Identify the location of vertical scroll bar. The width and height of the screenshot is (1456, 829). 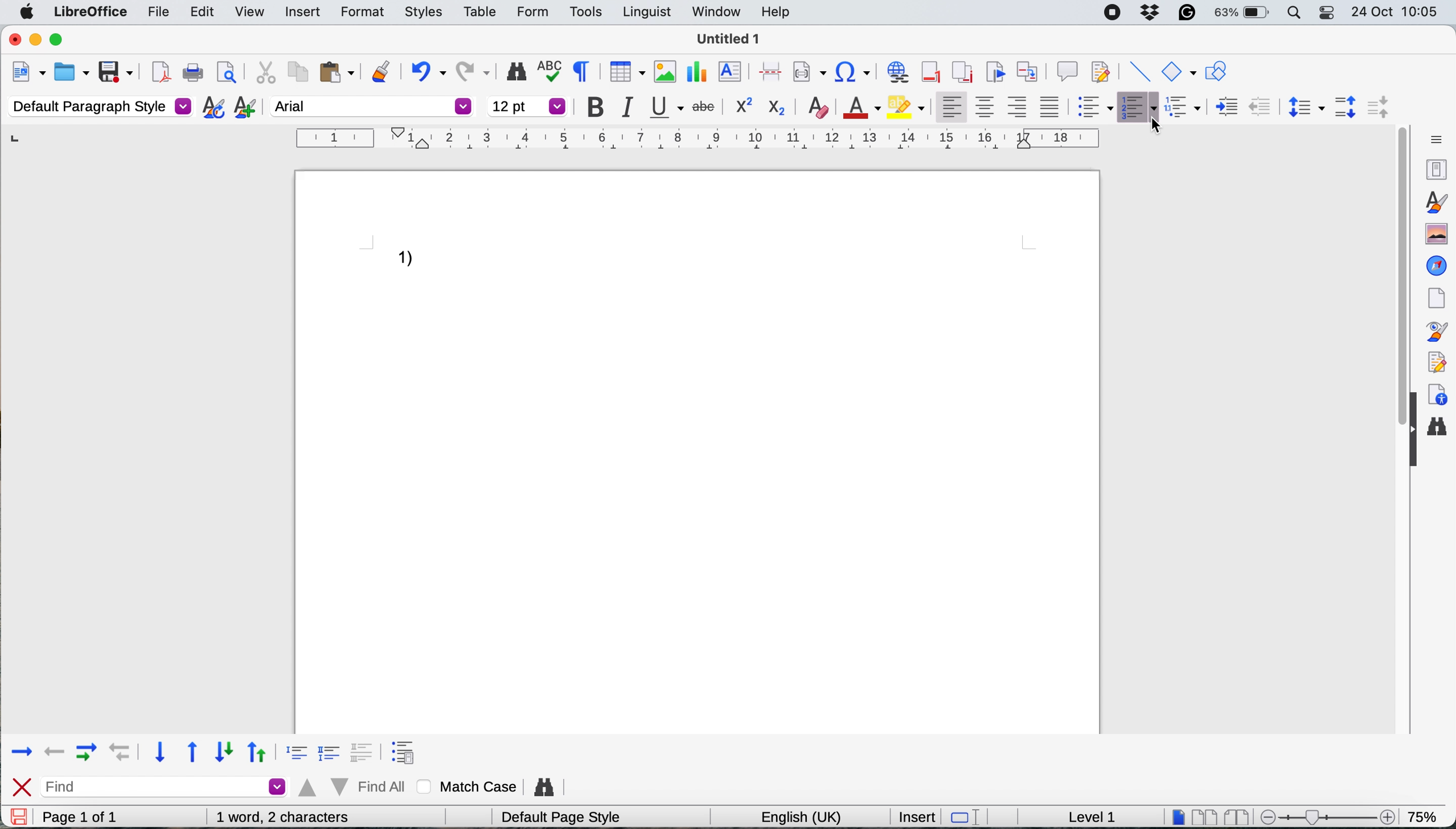
(1392, 297).